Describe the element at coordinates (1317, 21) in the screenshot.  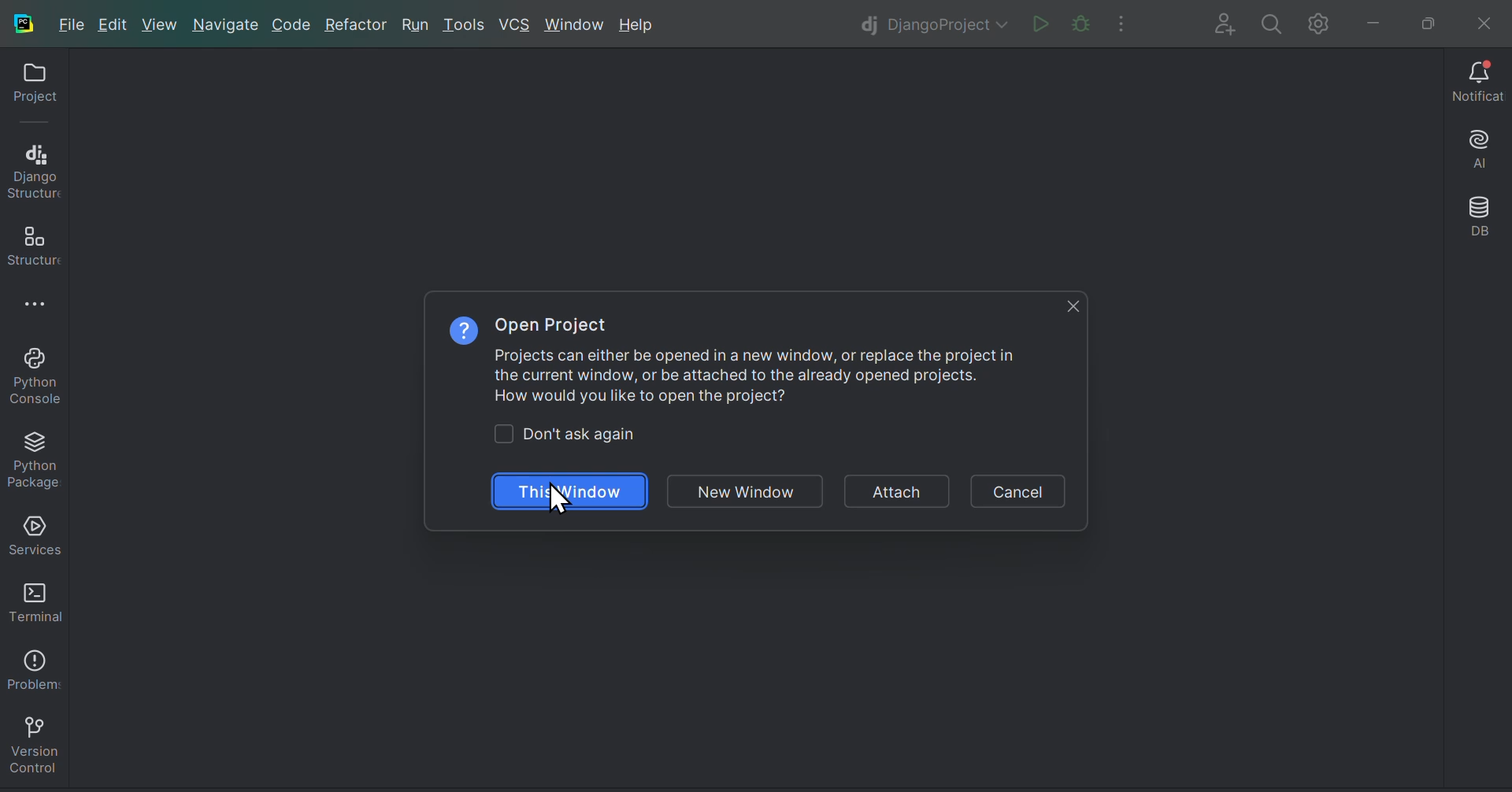
I see `Settings` at that location.